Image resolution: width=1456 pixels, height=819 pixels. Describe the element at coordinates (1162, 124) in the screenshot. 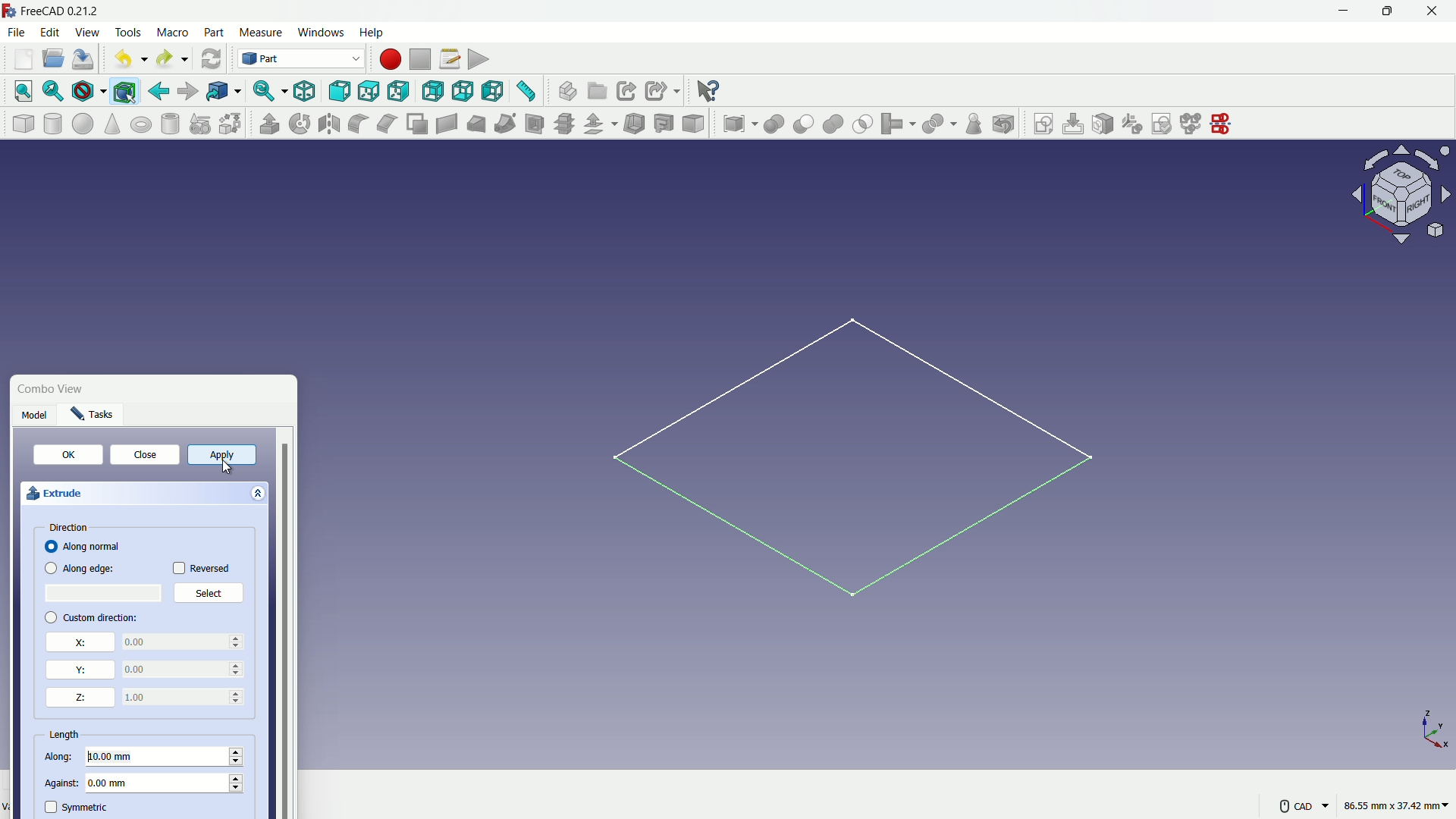

I see `validate sketch` at that location.